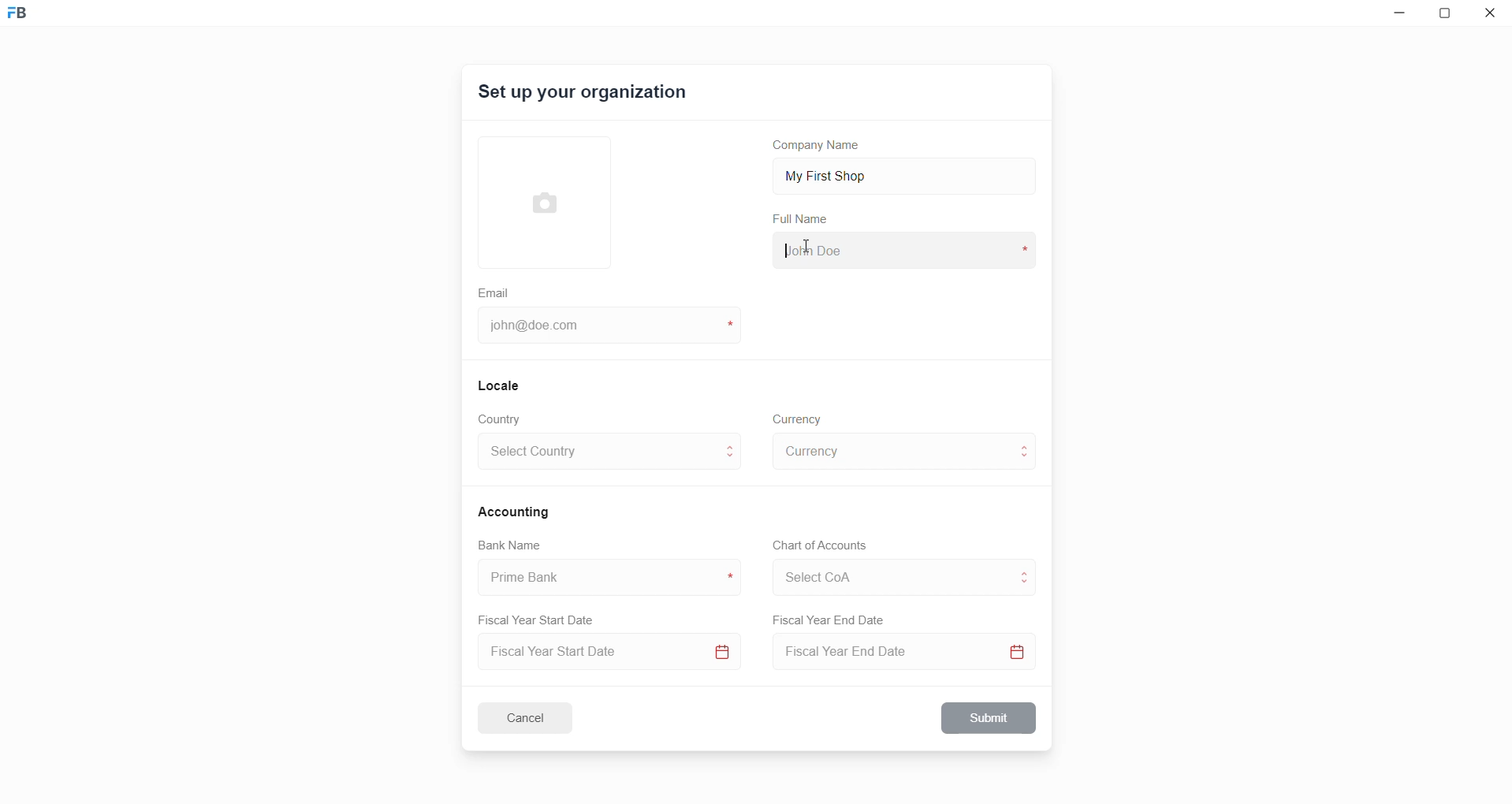 Image resolution: width=1512 pixels, height=804 pixels. Describe the element at coordinates (799, 418) in the screenshot. I see `Currency` at that location.